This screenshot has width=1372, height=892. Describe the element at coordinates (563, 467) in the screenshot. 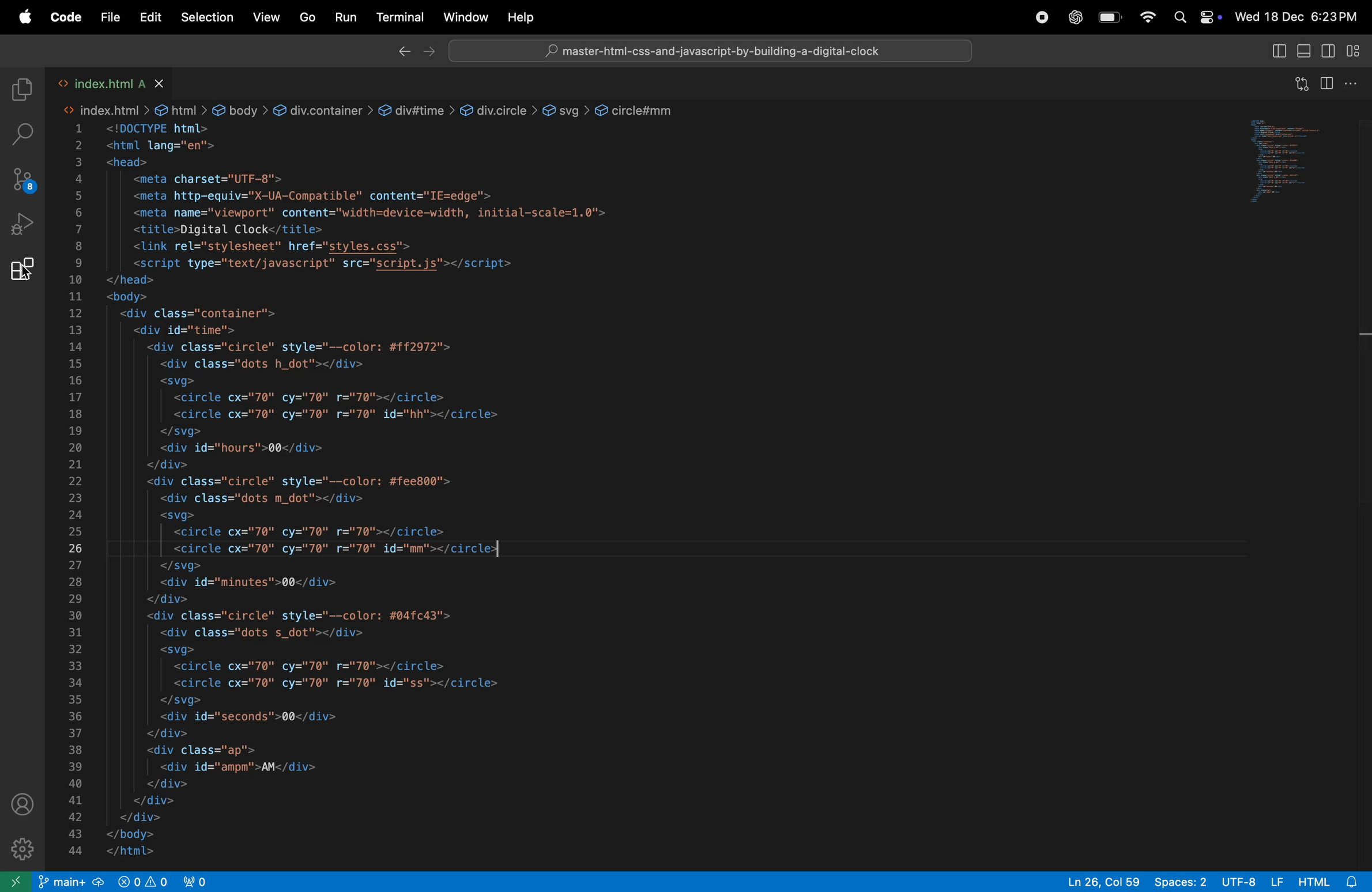

I see `This code block describing about front page of a website` at that location.